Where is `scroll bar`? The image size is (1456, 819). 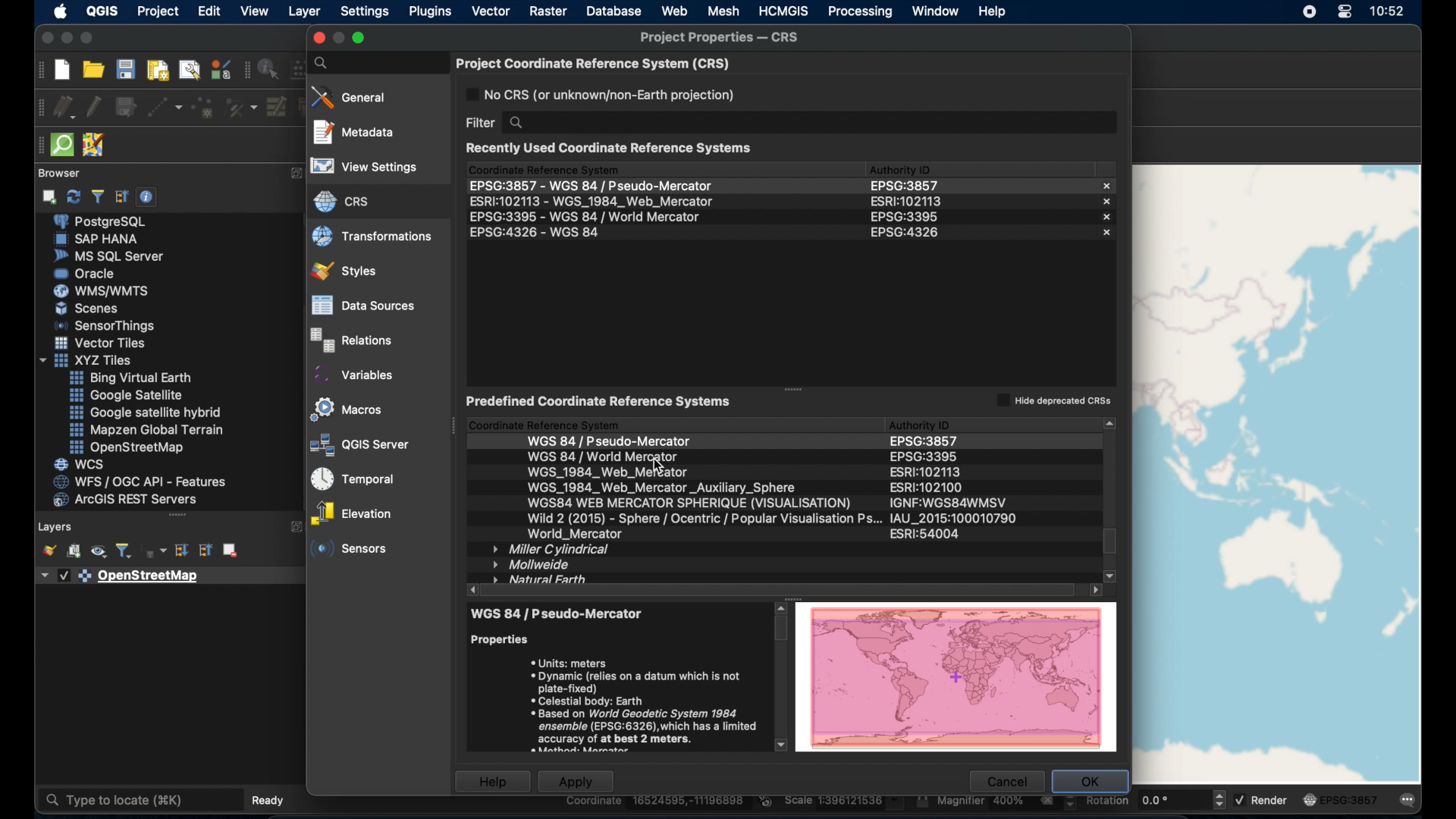 scroll bar is located at coordinates (780, 679).